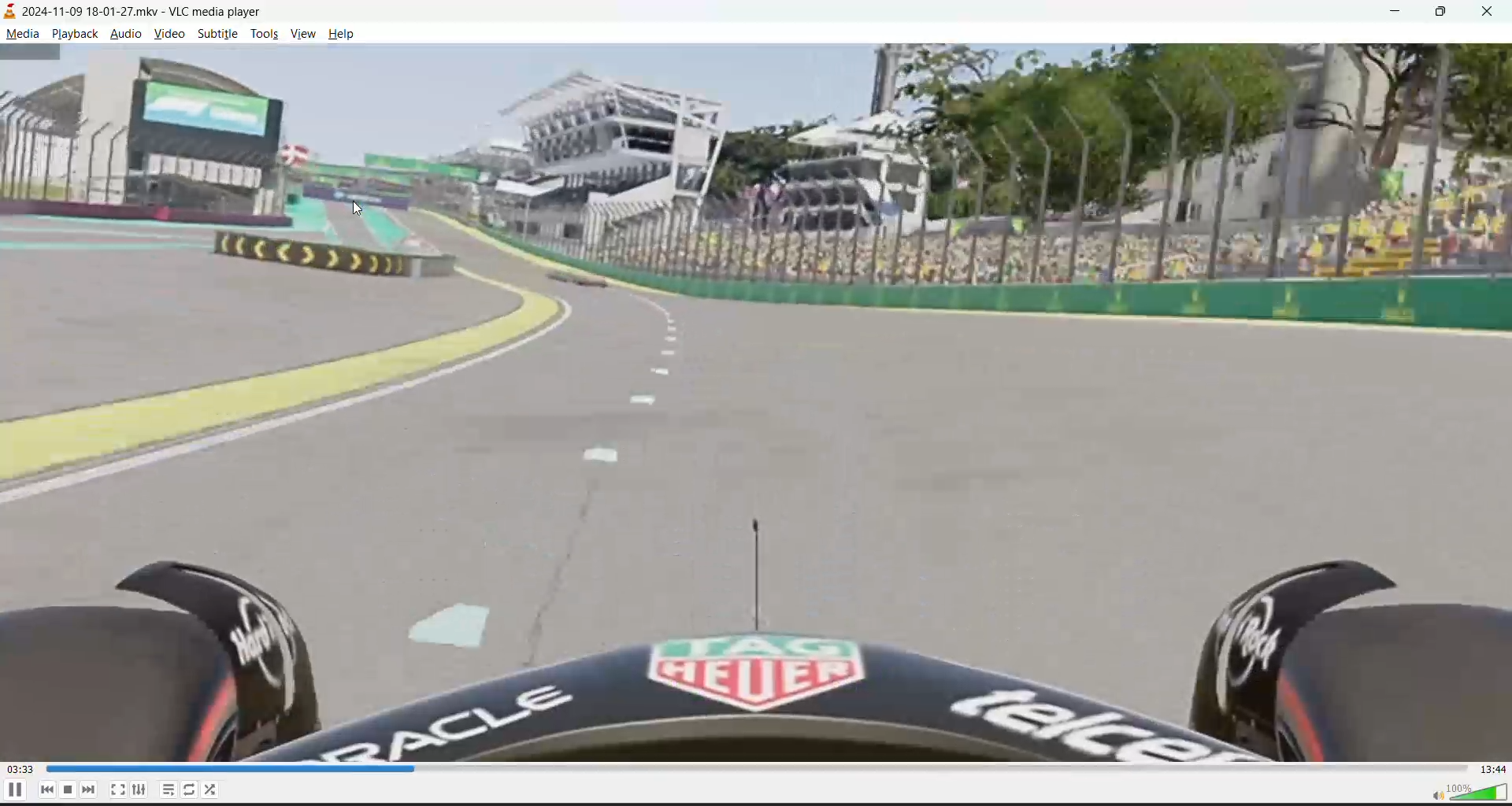 Image resolution: width=1512 pixels, height=806 pixels. What do you see at coordinates (70, 789) in the screenshot?
I see `stop` at bounding box center [70, 789].